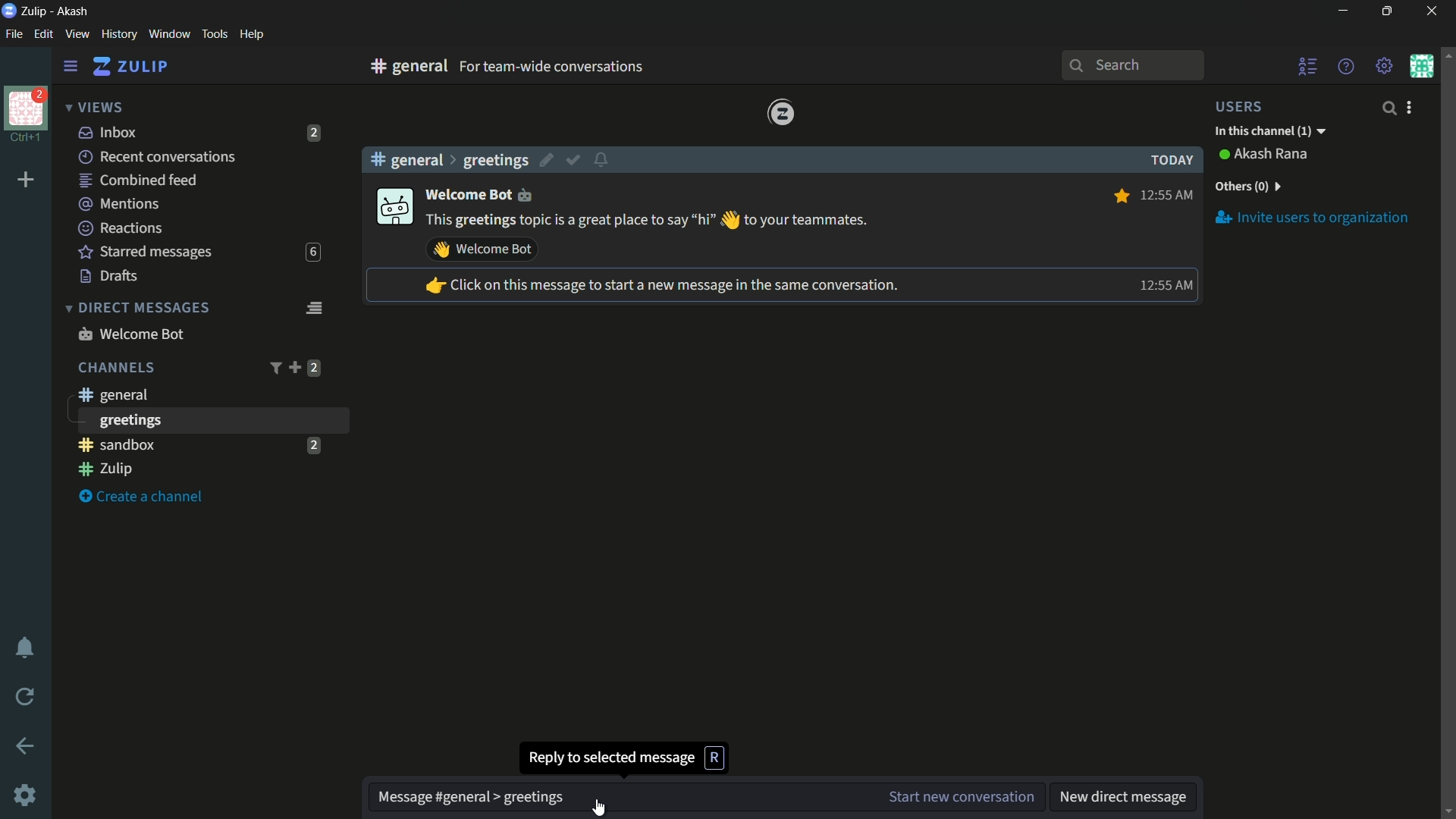 The height and width of the screenshot is (819, 1456). I want to click on reply to selected message pop up, so click(625, 757).